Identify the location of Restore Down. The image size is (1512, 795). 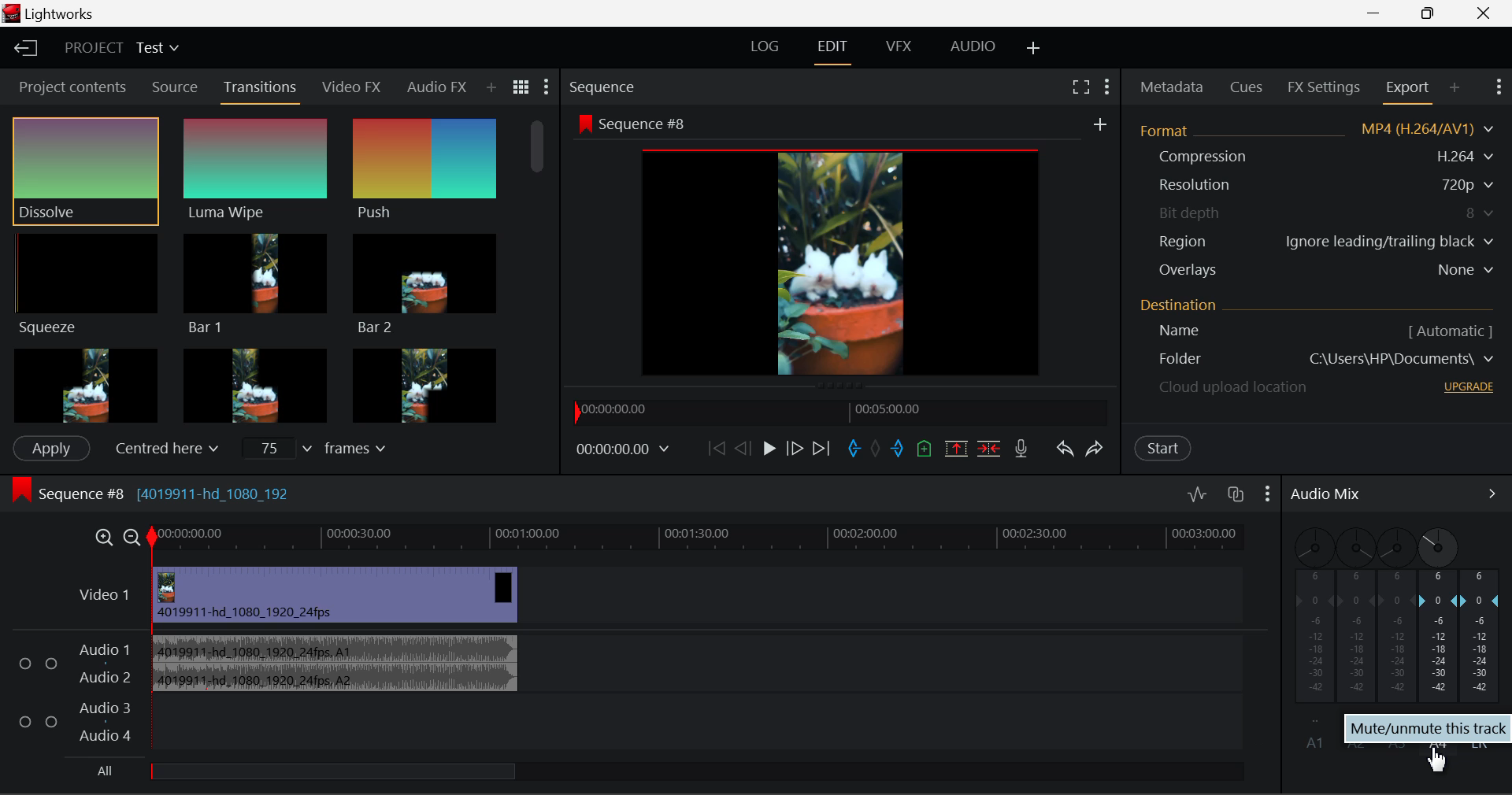
(1373, 13).